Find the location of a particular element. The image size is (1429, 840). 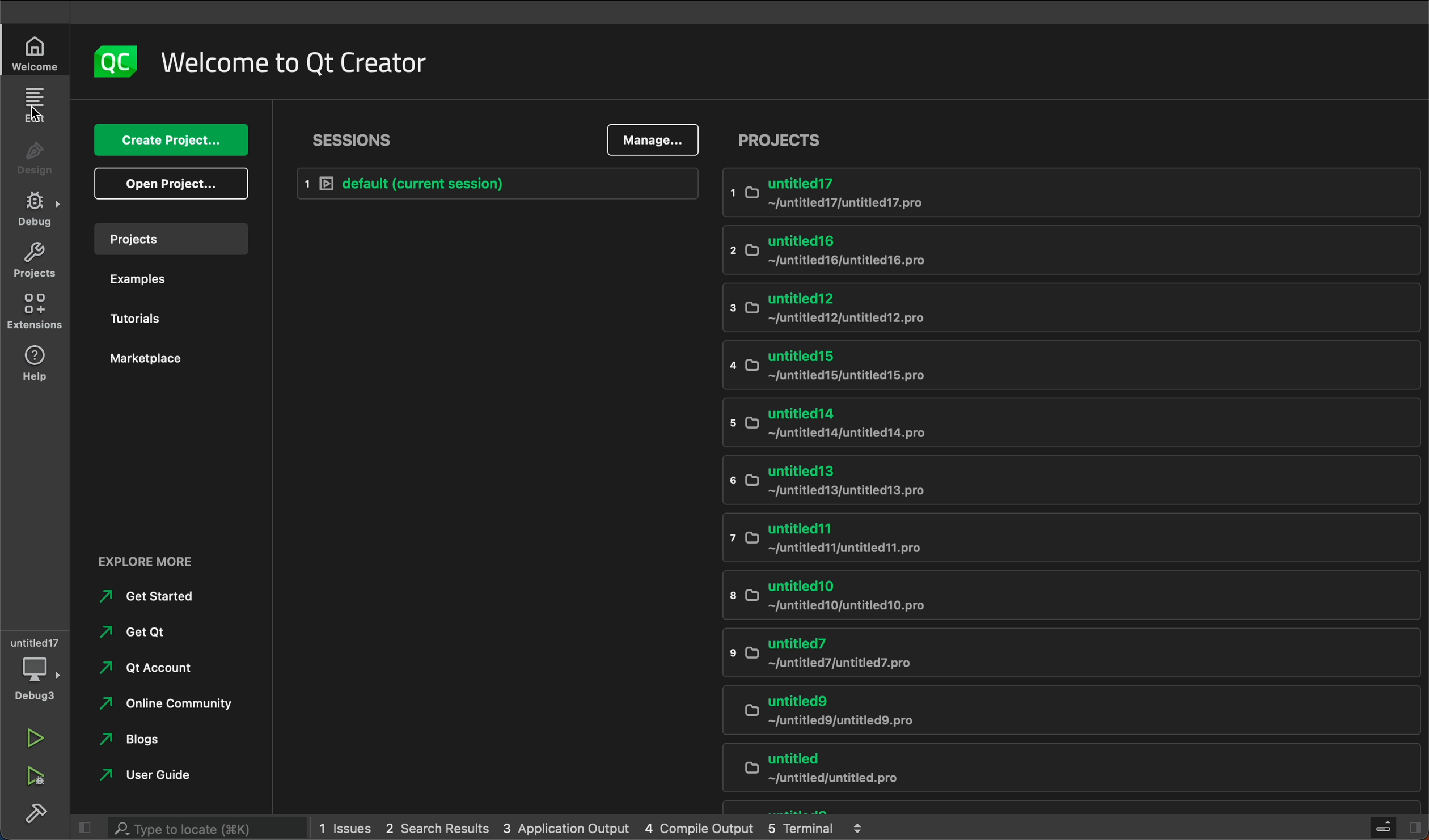

untitled is located at coordinates (1054, 769).